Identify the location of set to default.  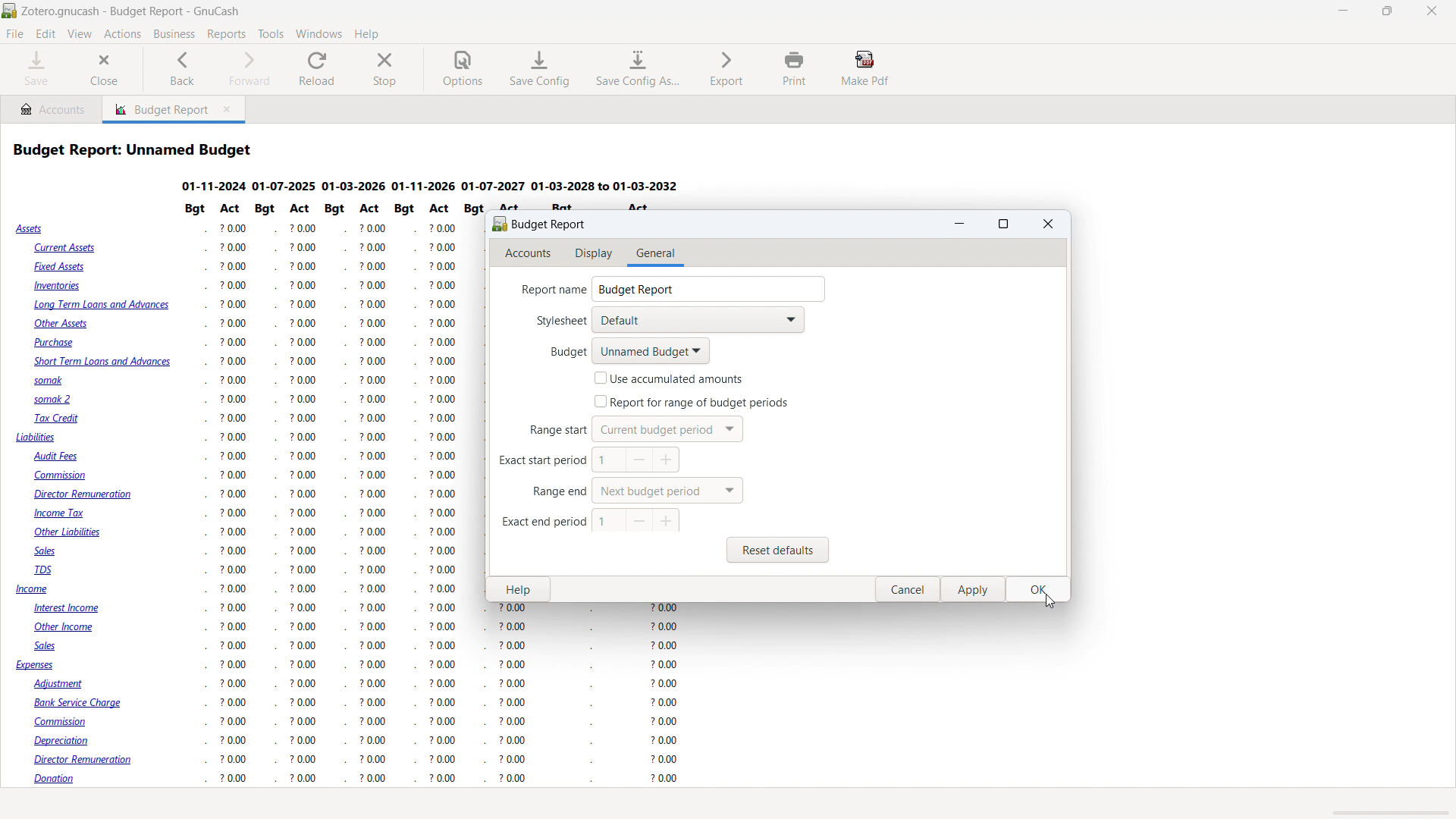
(609, 521).